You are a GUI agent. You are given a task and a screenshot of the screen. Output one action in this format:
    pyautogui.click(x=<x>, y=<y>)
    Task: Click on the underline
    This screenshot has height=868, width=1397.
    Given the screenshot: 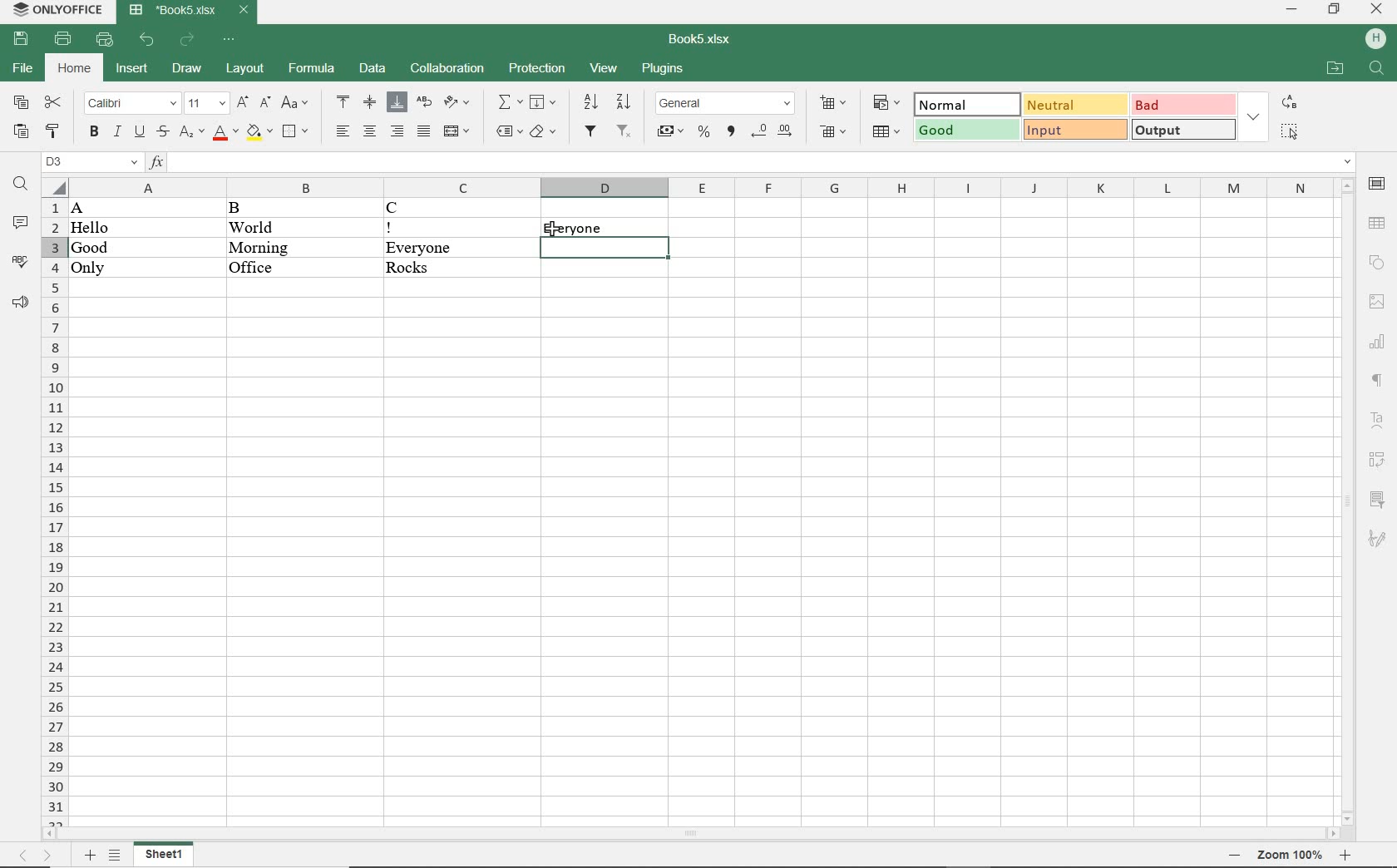 What is the action you would take?
    pyautogui.click(x=140, y=134)
    